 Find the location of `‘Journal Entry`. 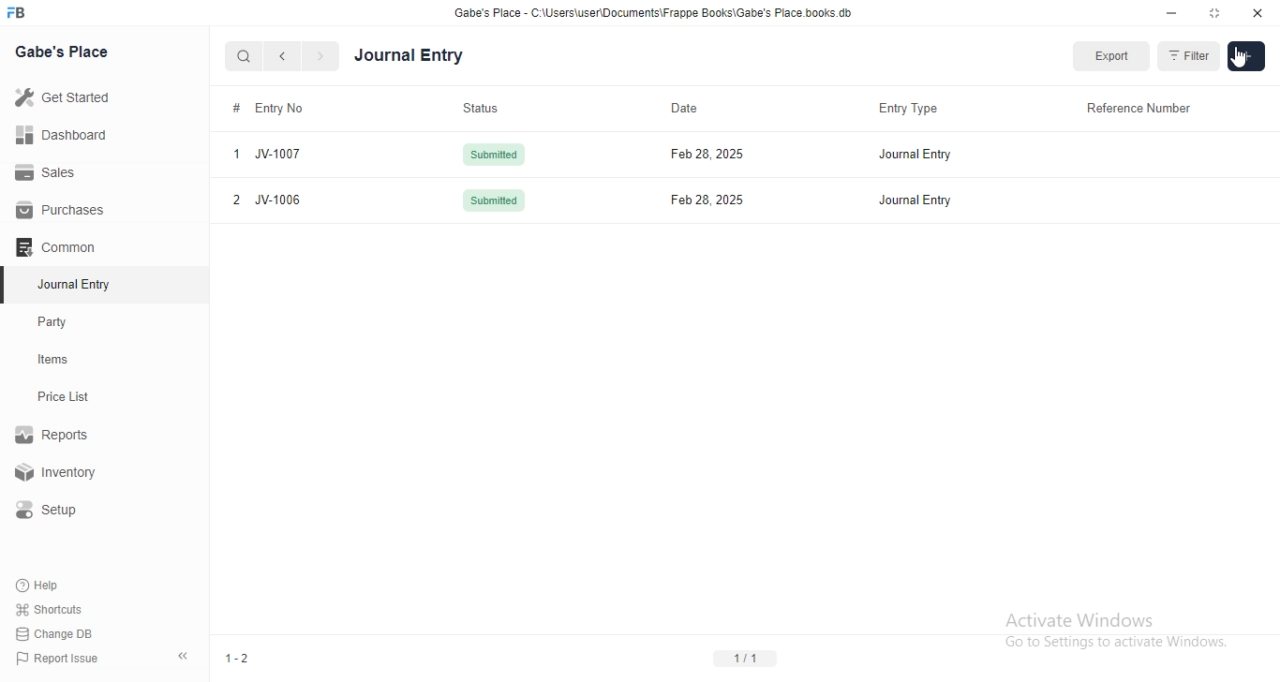

‘Journal Entry is located at coordinates (77, 284).